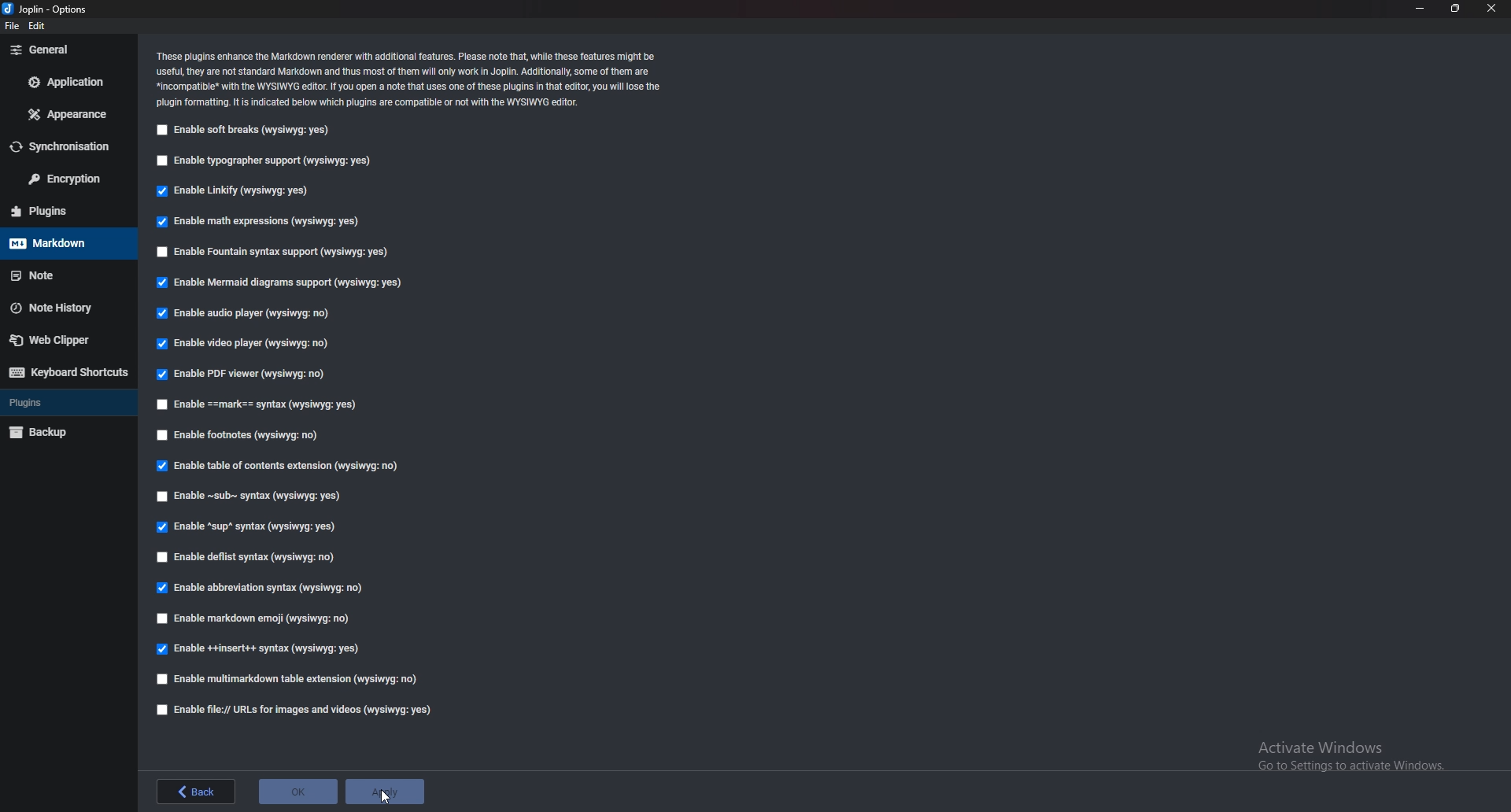 The width and height of the screenshot is (1511, 812). What do you see at coordinates (68, 113) in the screenshot?
I see `Appearance` at bounding box center [68, 113].